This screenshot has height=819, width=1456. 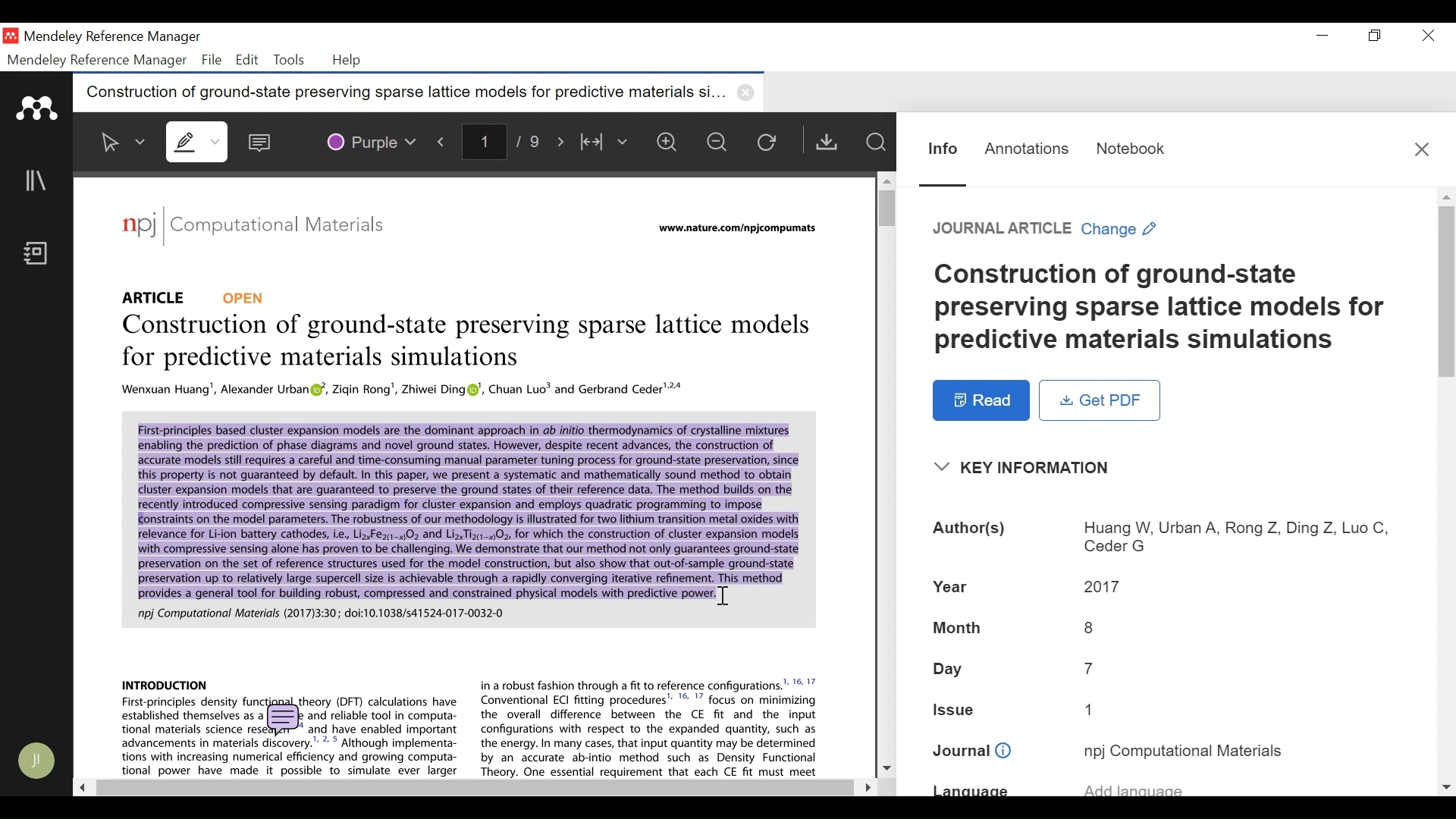 I want to click on Journal, so click(x=289, y=227).